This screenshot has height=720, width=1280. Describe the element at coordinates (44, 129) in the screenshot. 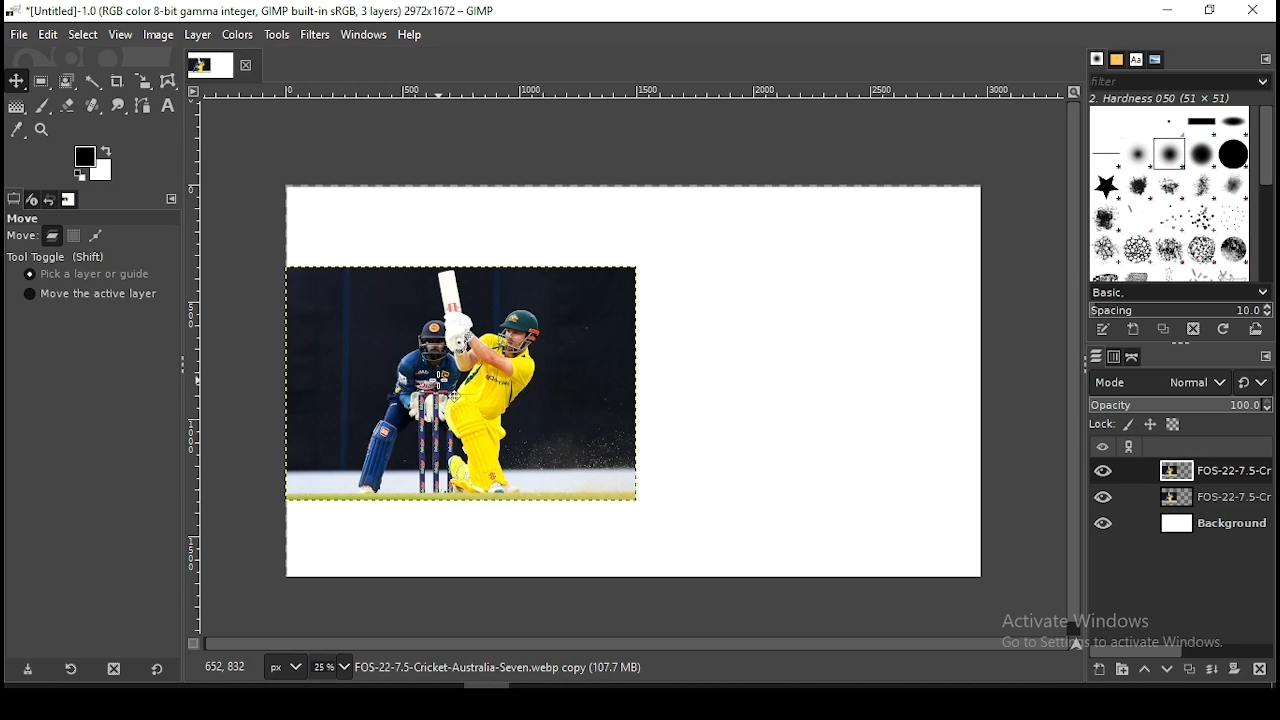

I see `zoom tool` at that location.